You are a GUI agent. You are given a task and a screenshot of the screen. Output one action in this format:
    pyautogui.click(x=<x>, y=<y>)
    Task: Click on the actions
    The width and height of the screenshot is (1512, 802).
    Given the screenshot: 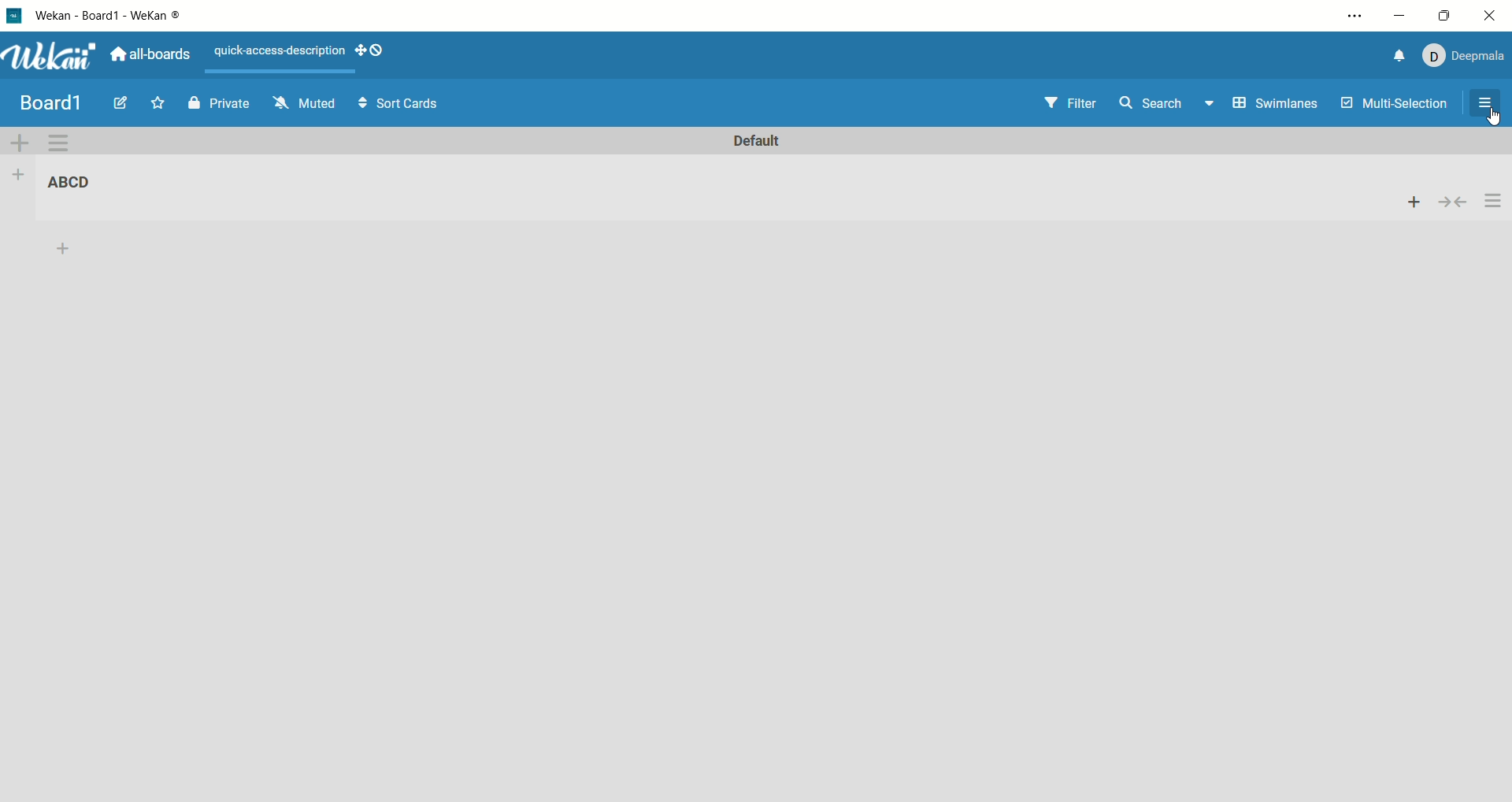 What is the action you would take?
    pyautogui.click(x=1492, y=202)
    